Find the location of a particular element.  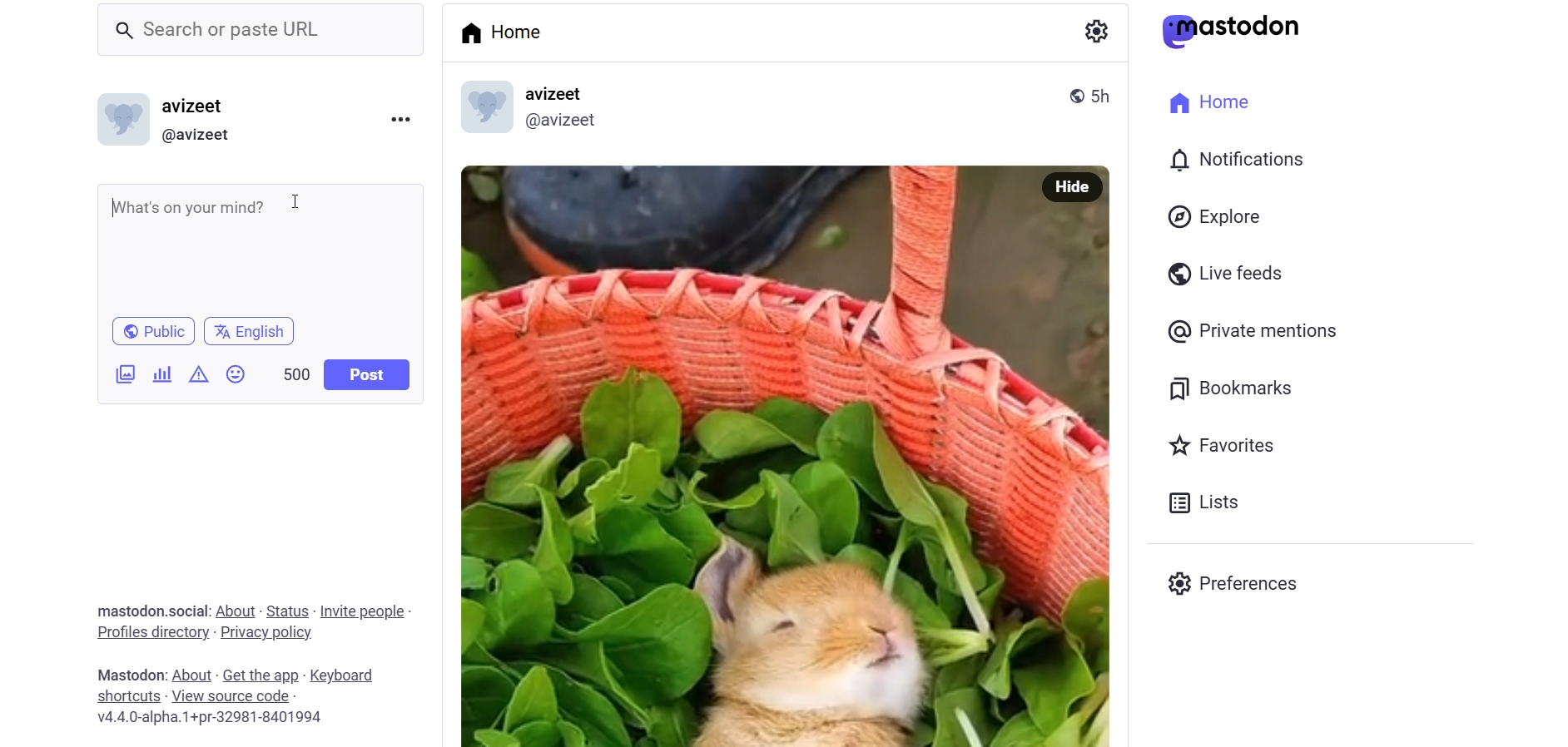

shortcut is located at coordinates (124, 695).